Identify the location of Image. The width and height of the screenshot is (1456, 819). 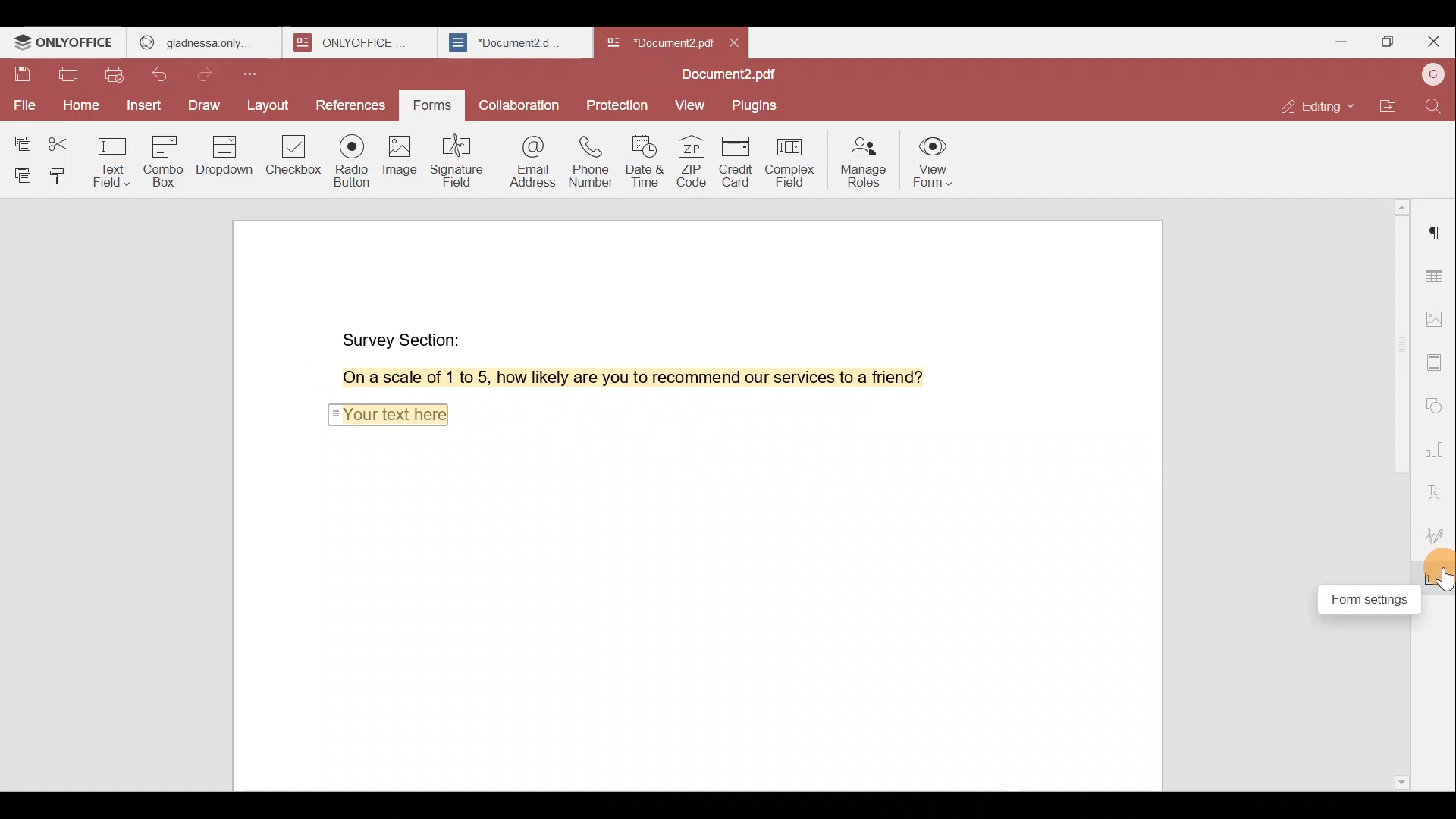
(398, 159).